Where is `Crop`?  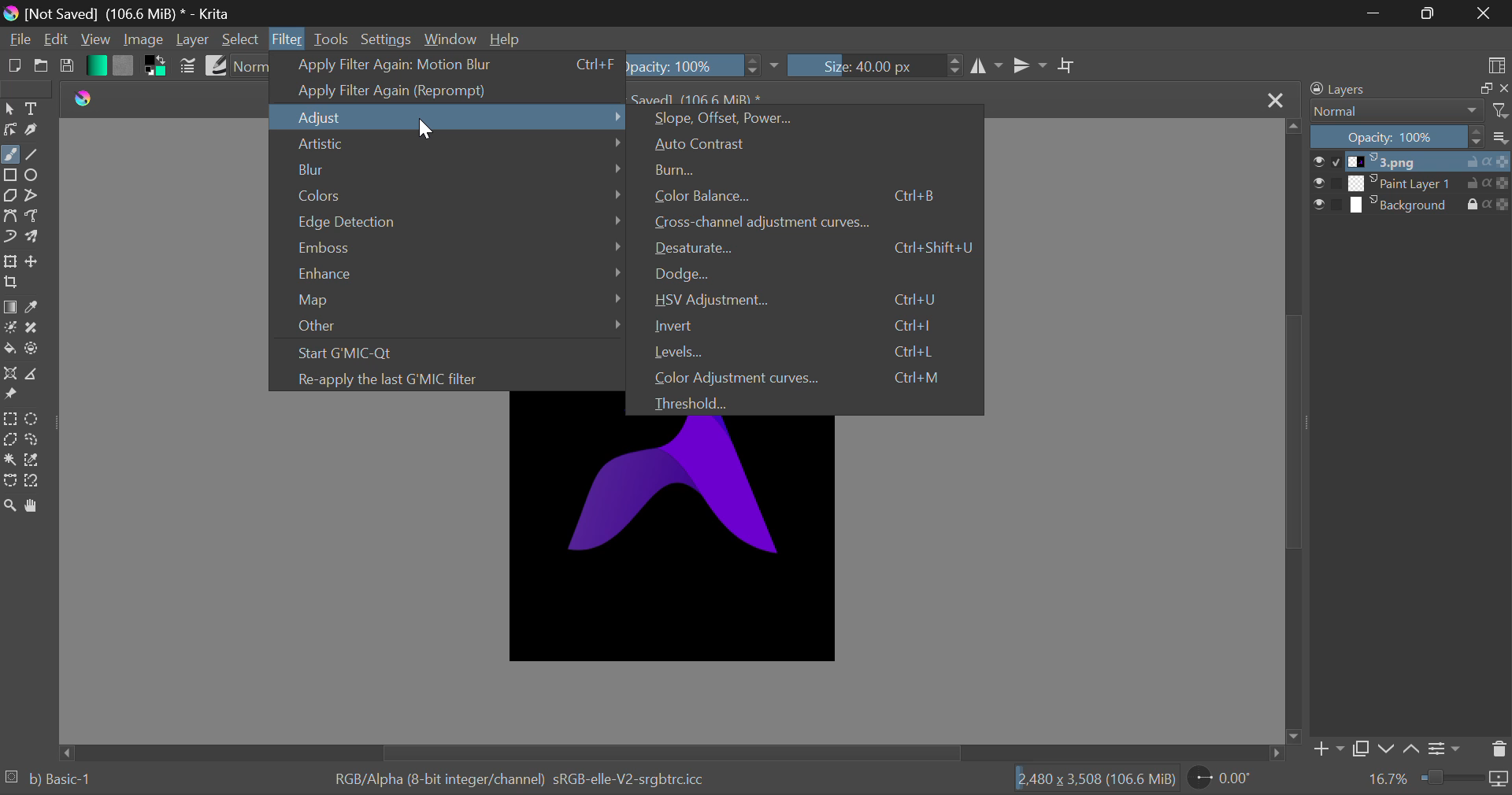 Crop is located at coordinates (13, 283).